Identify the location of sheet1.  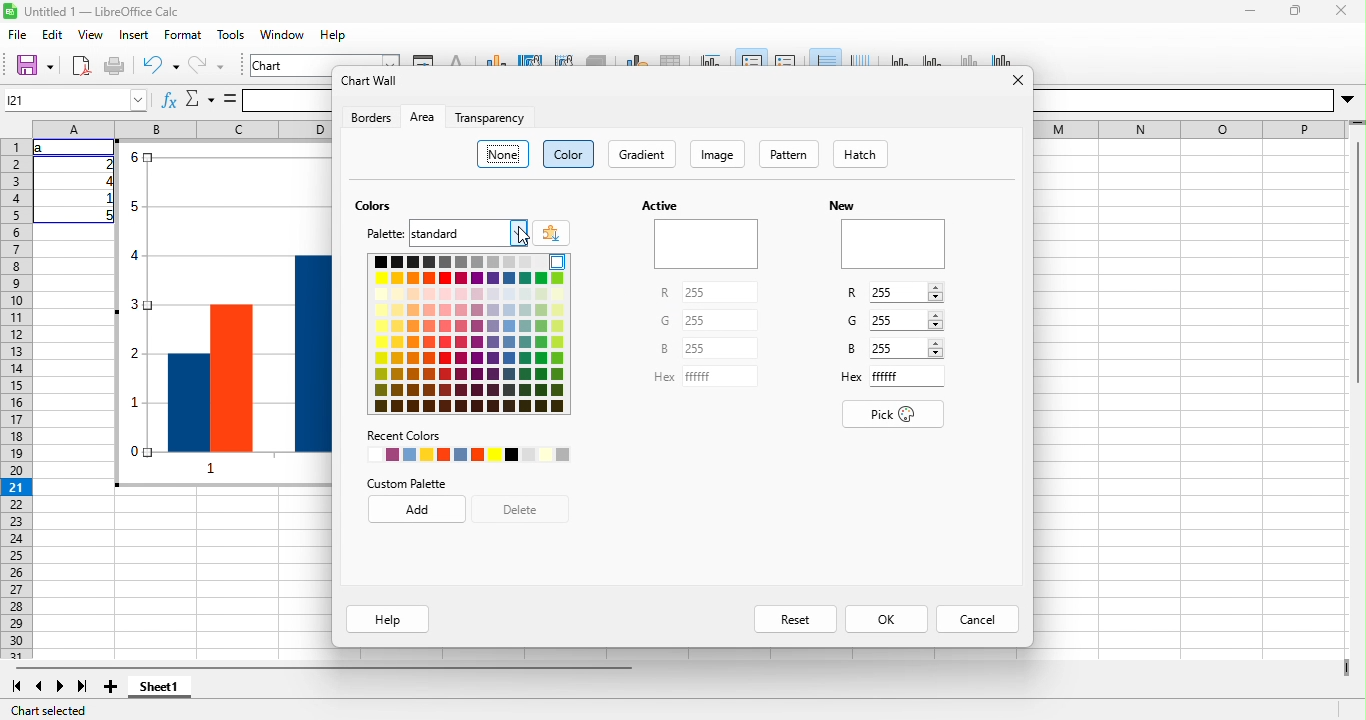
(159, 686).